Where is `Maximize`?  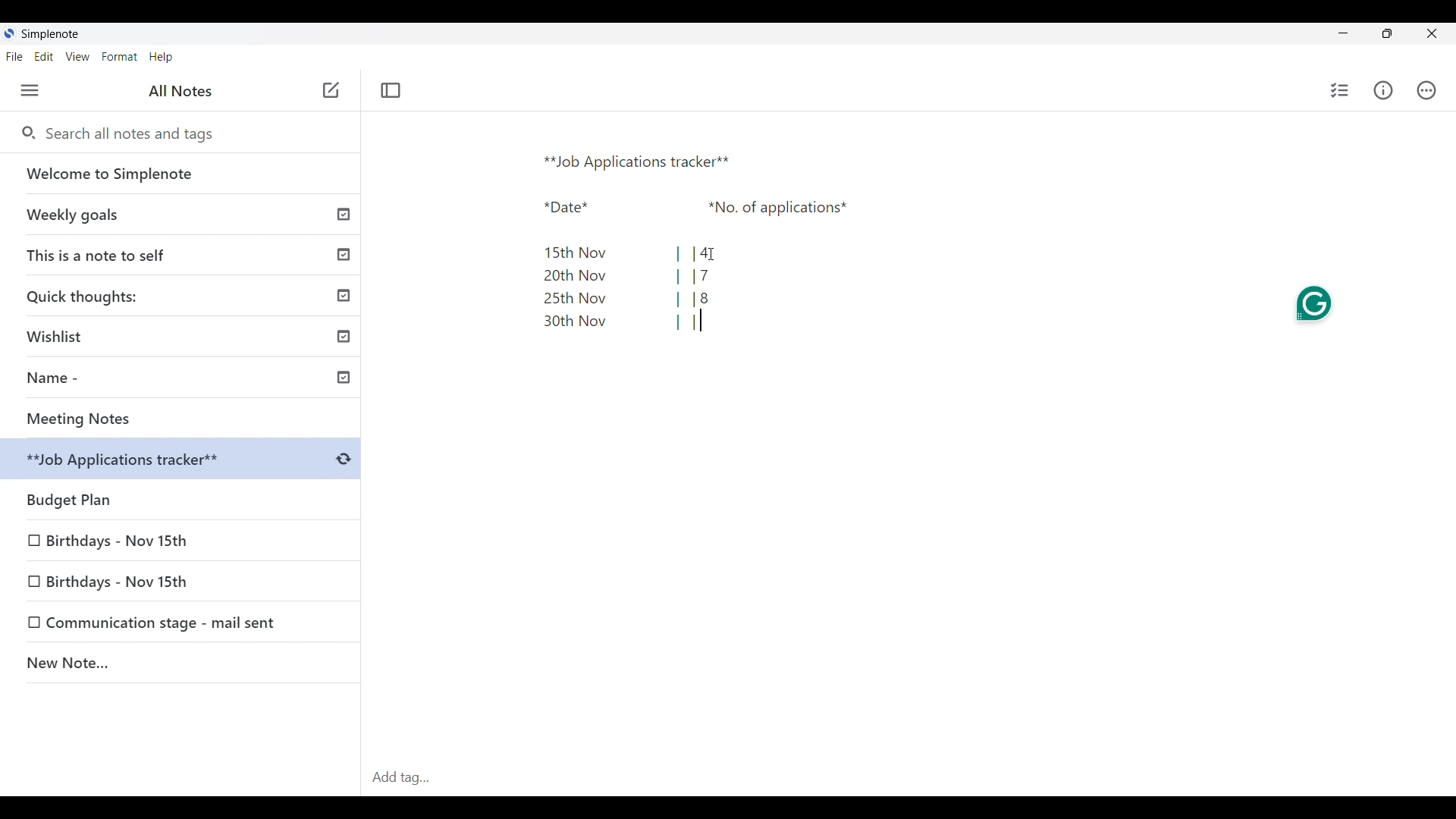
Maximize is located at coordinates (1387, 33).